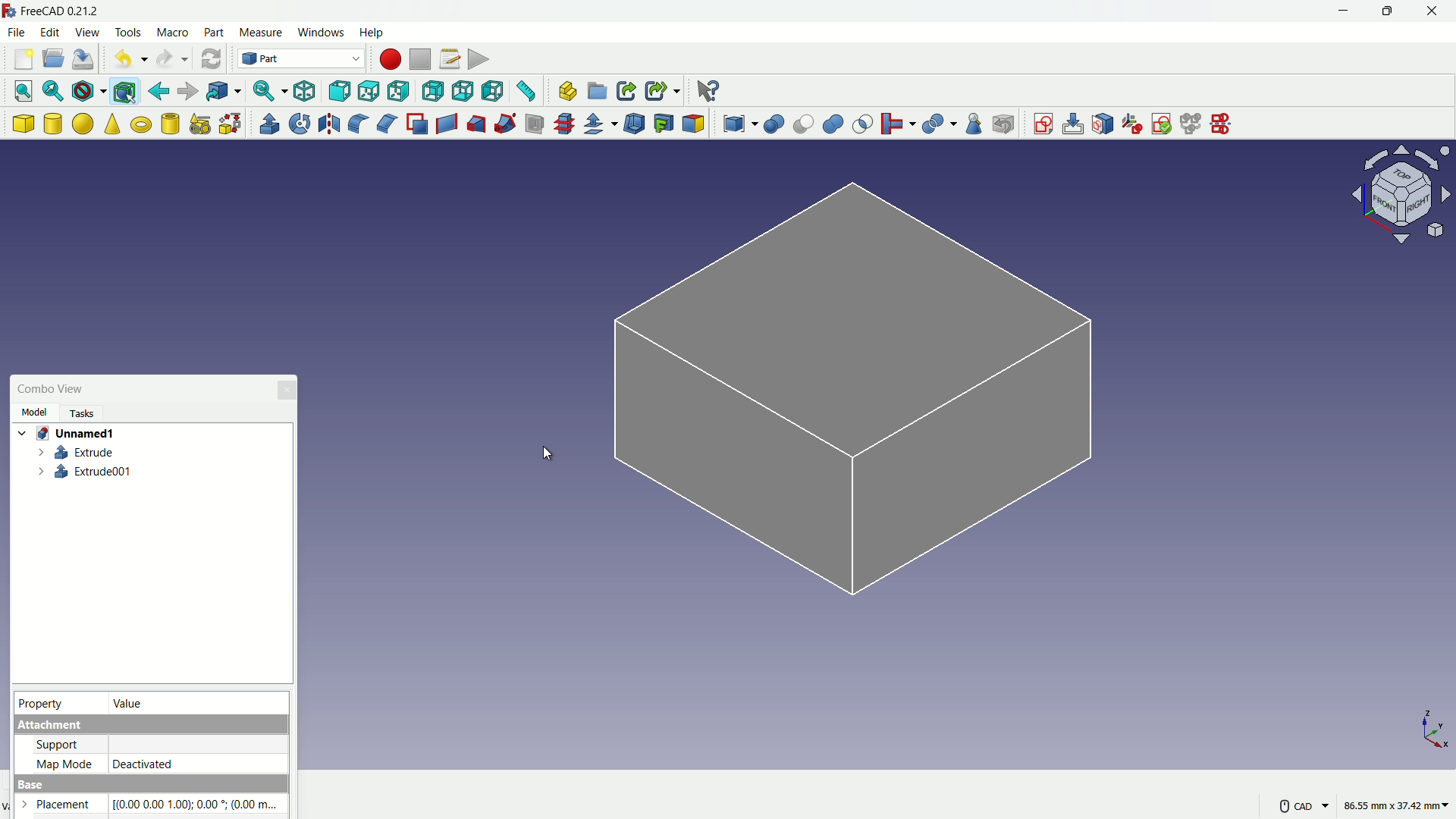 The image size is (1456, 819). I want to click on edit, so click(50, 33).